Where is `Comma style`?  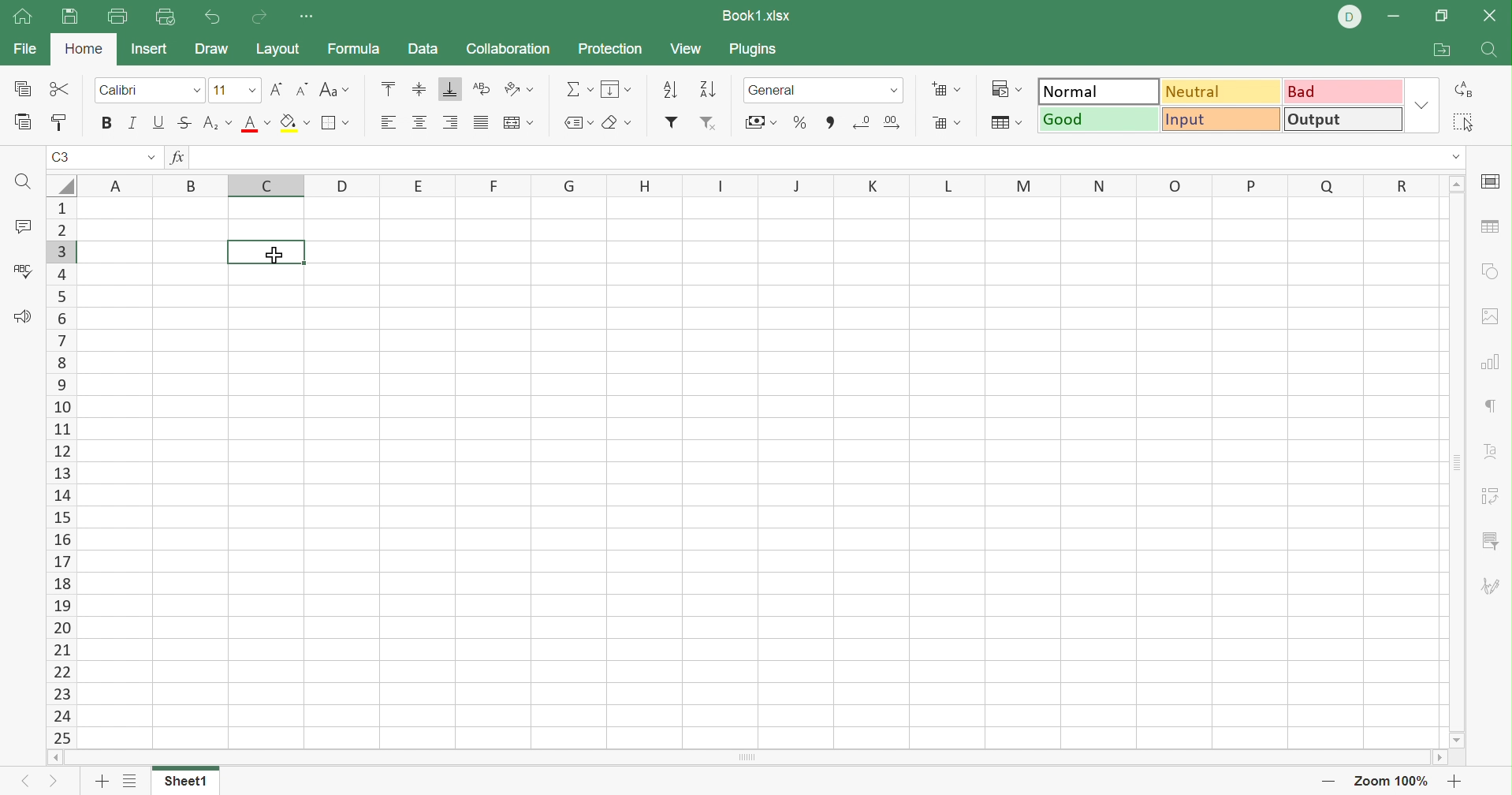 Comma style is located at coordinates (832, 122).